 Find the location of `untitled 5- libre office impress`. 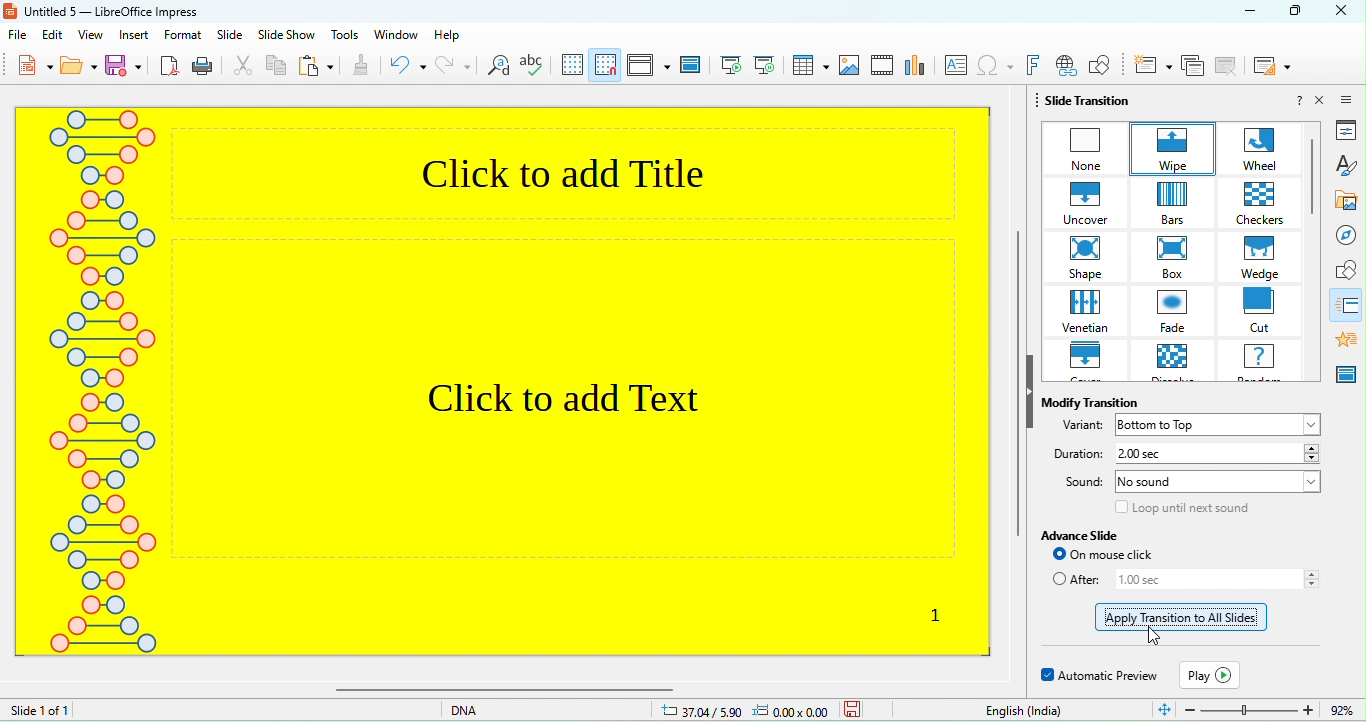

untitled 5- libre office impress is located at coordinates (141, 11).